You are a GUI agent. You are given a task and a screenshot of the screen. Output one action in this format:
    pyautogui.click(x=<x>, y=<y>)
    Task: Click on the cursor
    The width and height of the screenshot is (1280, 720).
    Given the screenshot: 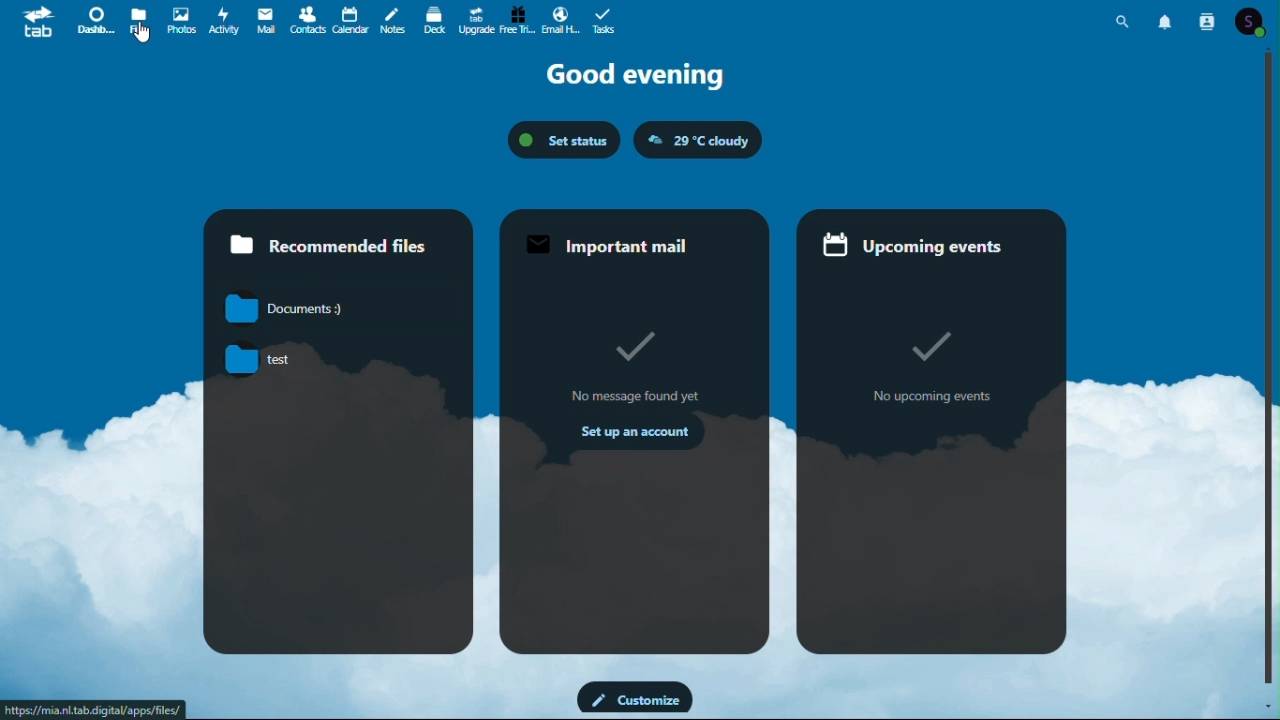 What is the action you would take?
    pyautogui.click(x=144, y=32)
    